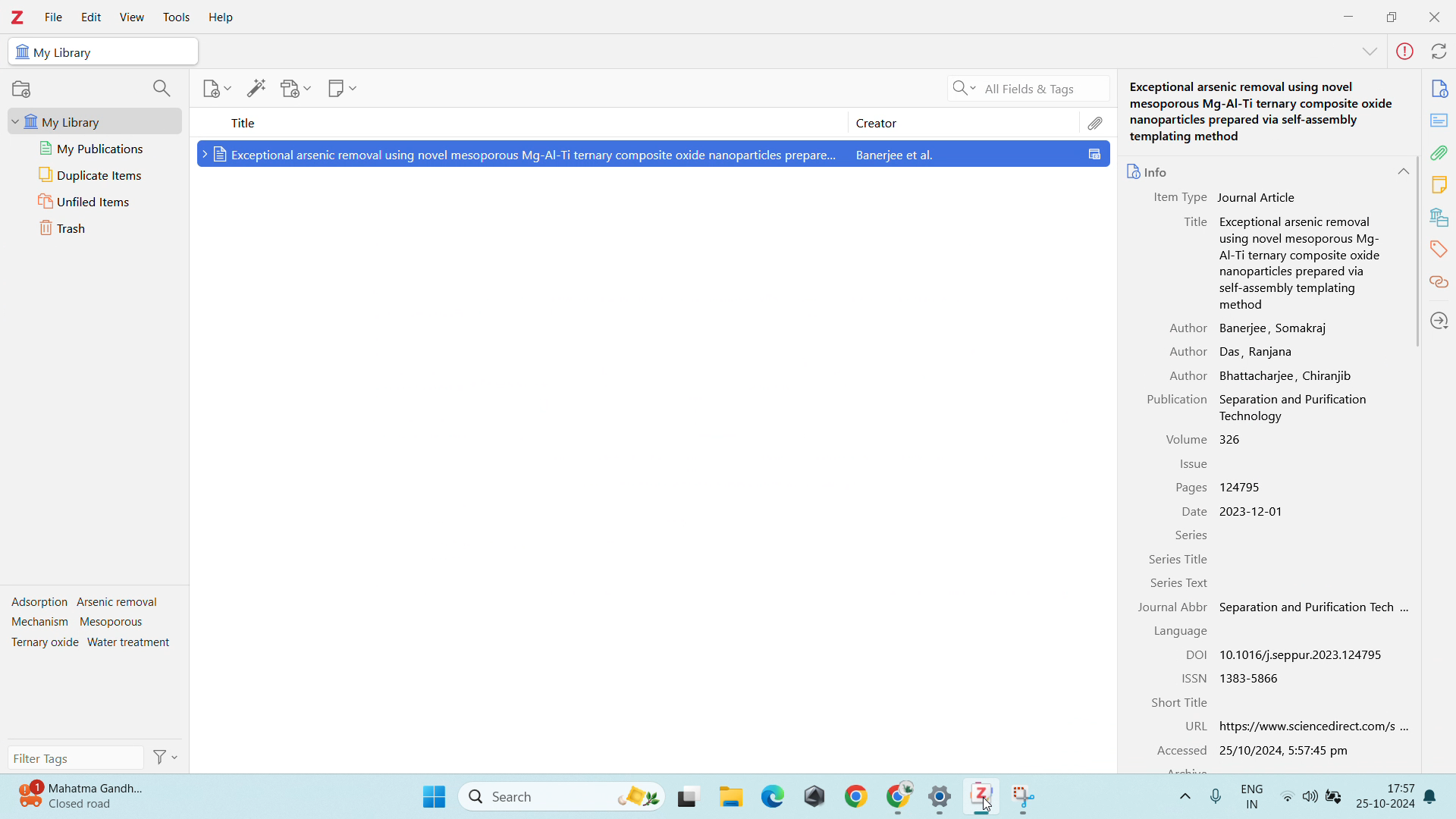 The image size is (1456, 819). I want to click on selected library, so click(103, 51).